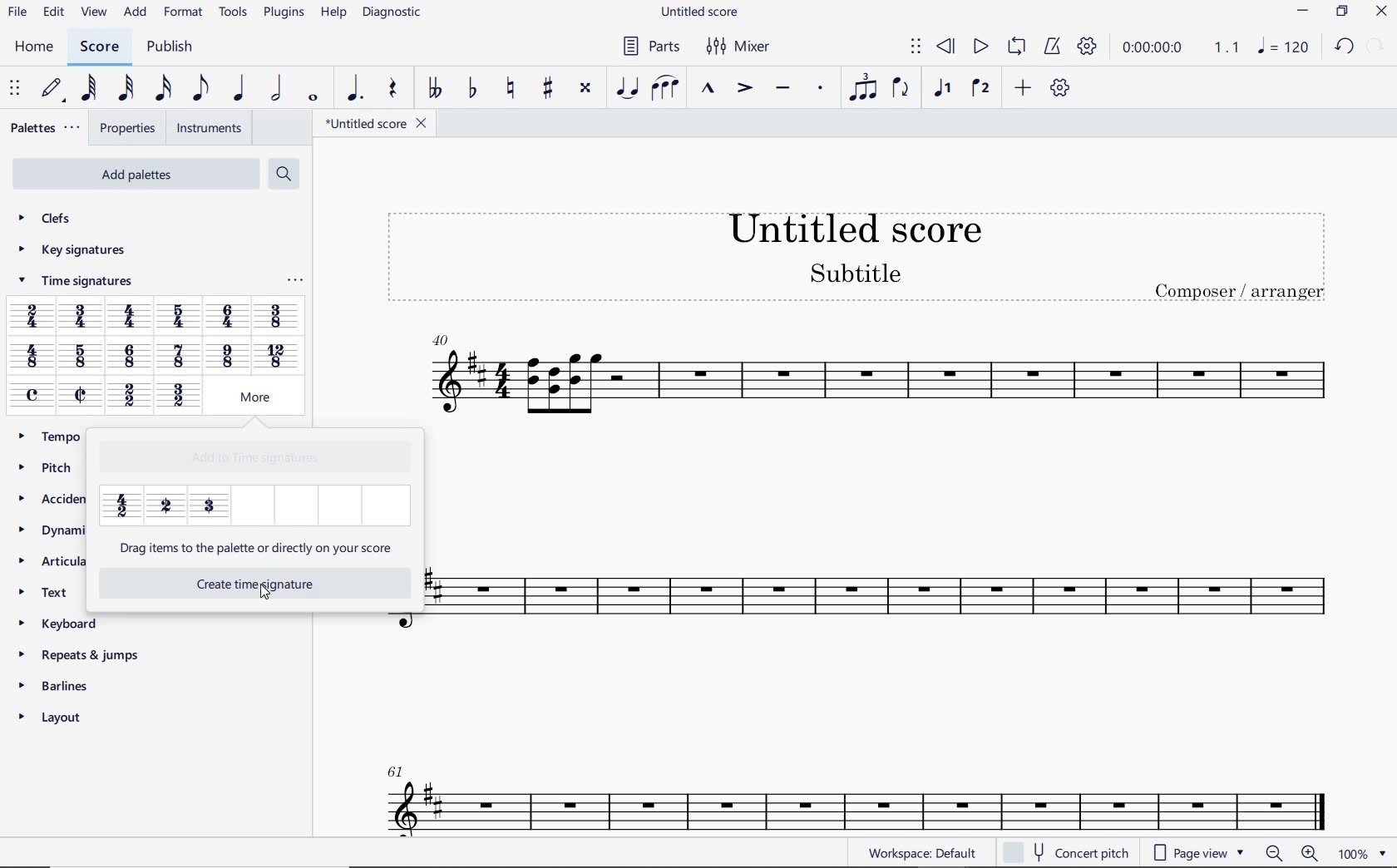 The height and width of the screenshot is (868, 1397). What do you see at coordinates (50, 561) in the screenshot?
I see `ARTICULATIONS` at bounding box center [50, 561].